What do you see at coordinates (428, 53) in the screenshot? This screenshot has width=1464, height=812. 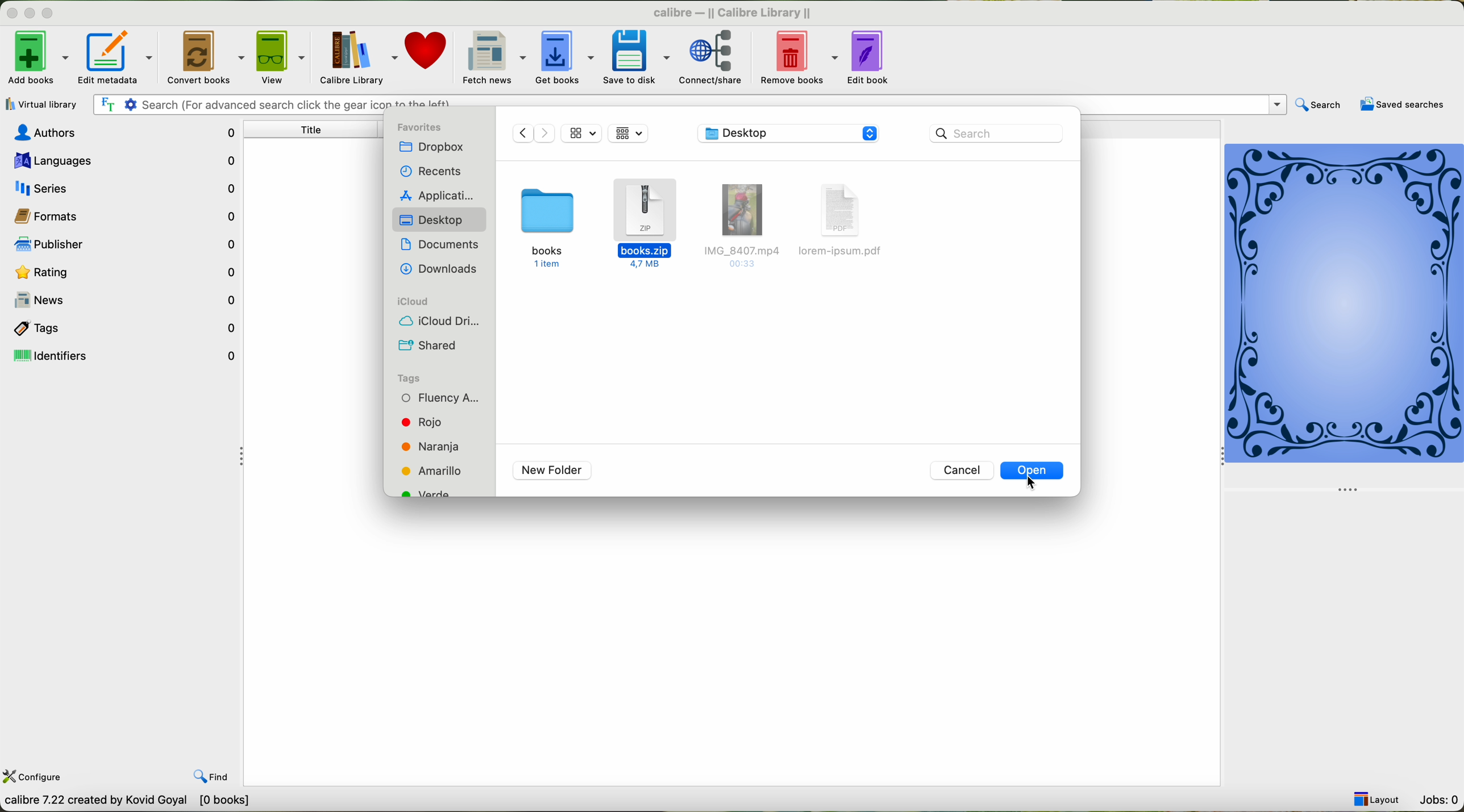 I see `donate` at bounding box center [428, 53].